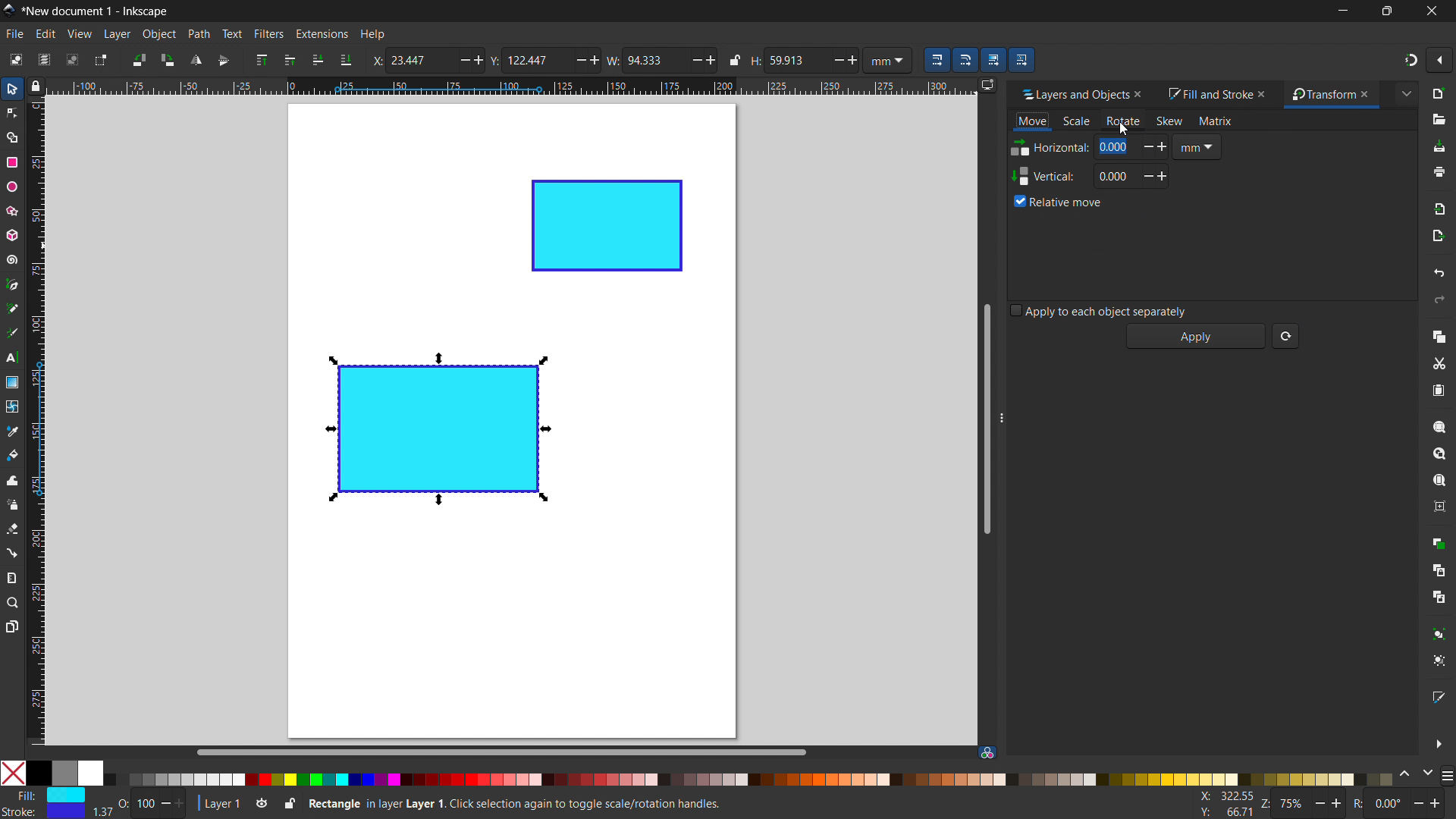 This screenshot has width=1456, height=819. I want to click on transform, so click(1319, 95).